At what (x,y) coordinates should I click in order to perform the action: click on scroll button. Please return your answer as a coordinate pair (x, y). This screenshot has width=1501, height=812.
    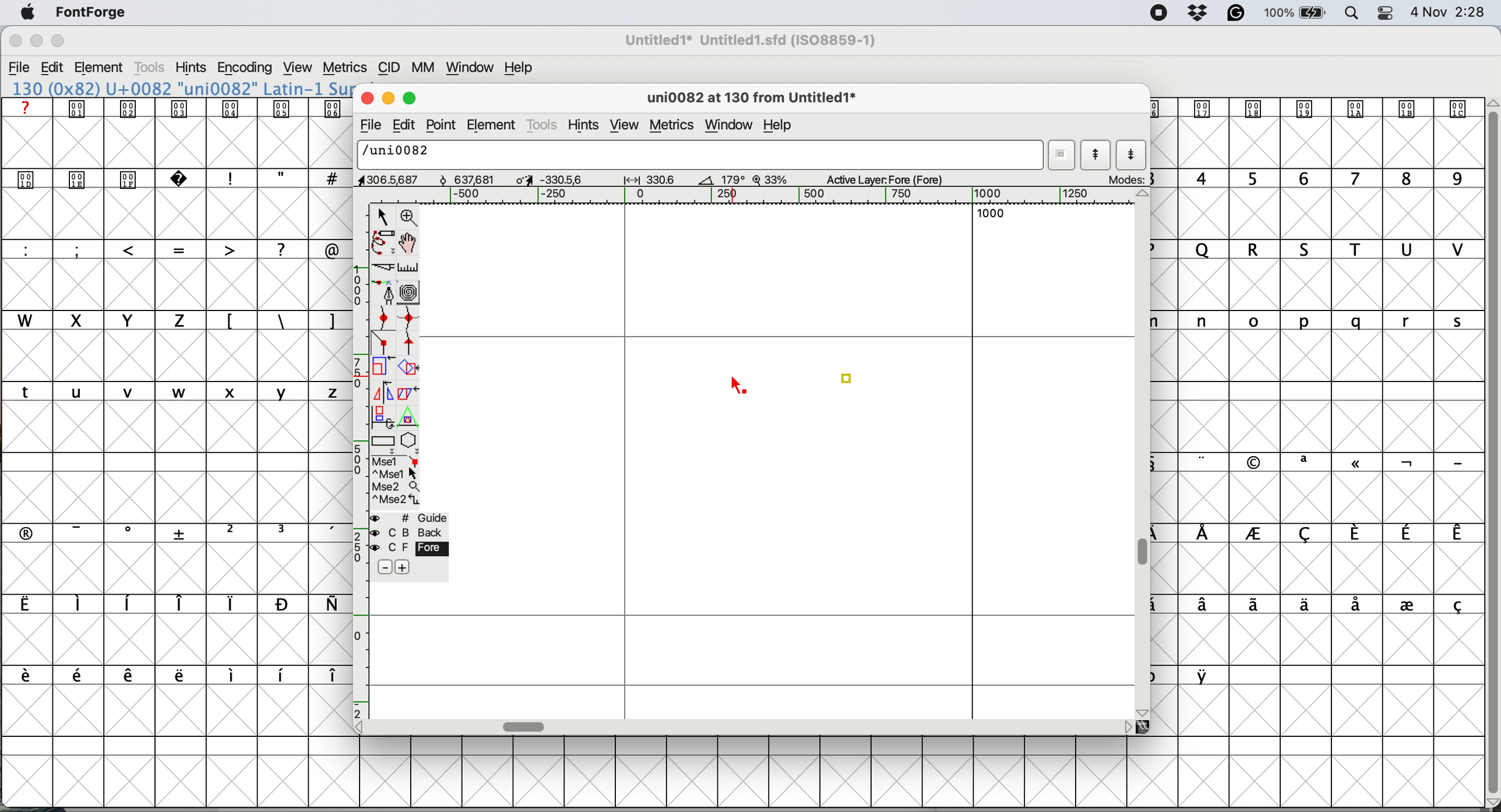
    Looking at the image, I should click on (1144, 195).